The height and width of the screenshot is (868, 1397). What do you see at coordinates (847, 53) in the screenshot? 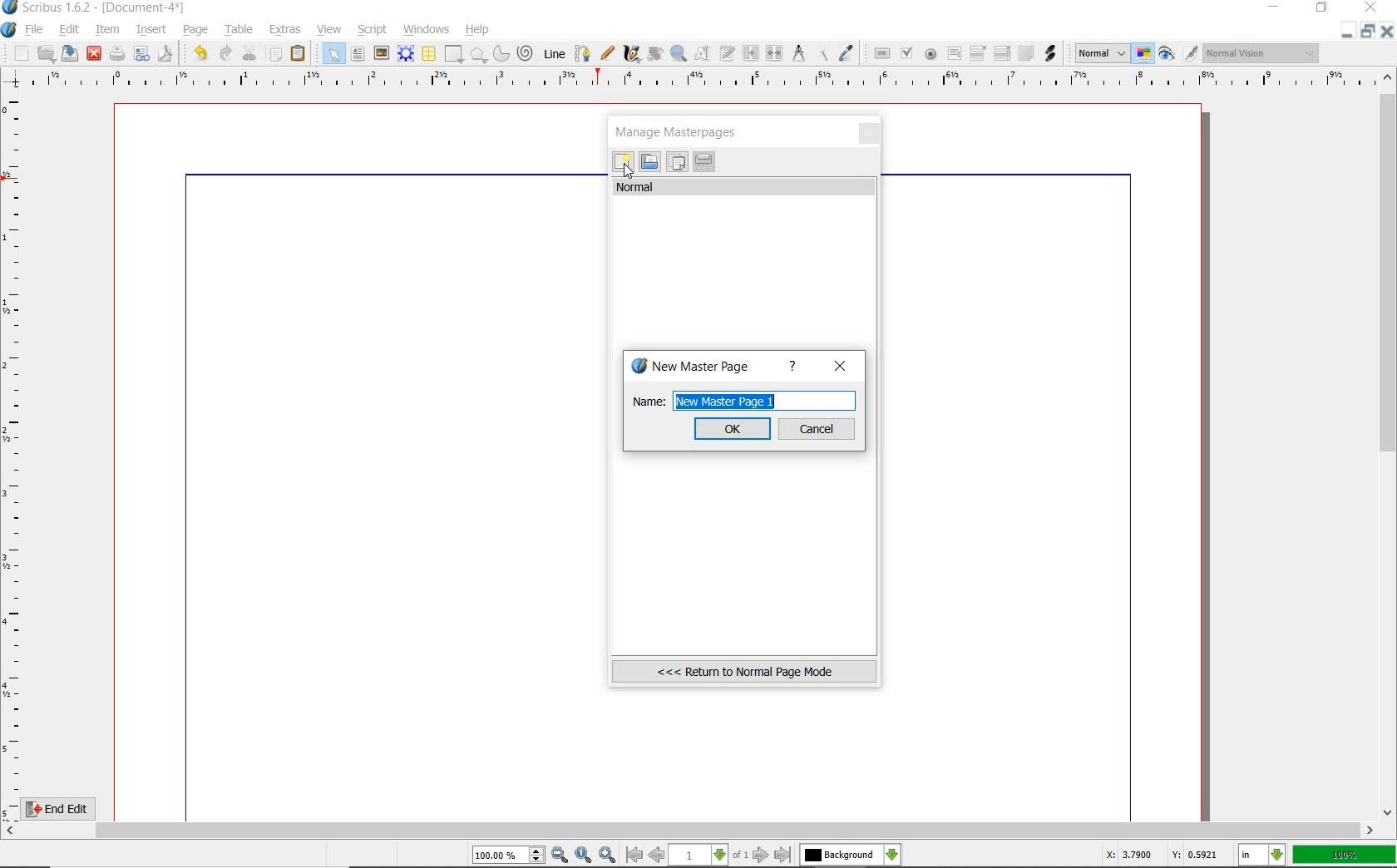
I see `eye dropper` at bounding box center [847, 53].